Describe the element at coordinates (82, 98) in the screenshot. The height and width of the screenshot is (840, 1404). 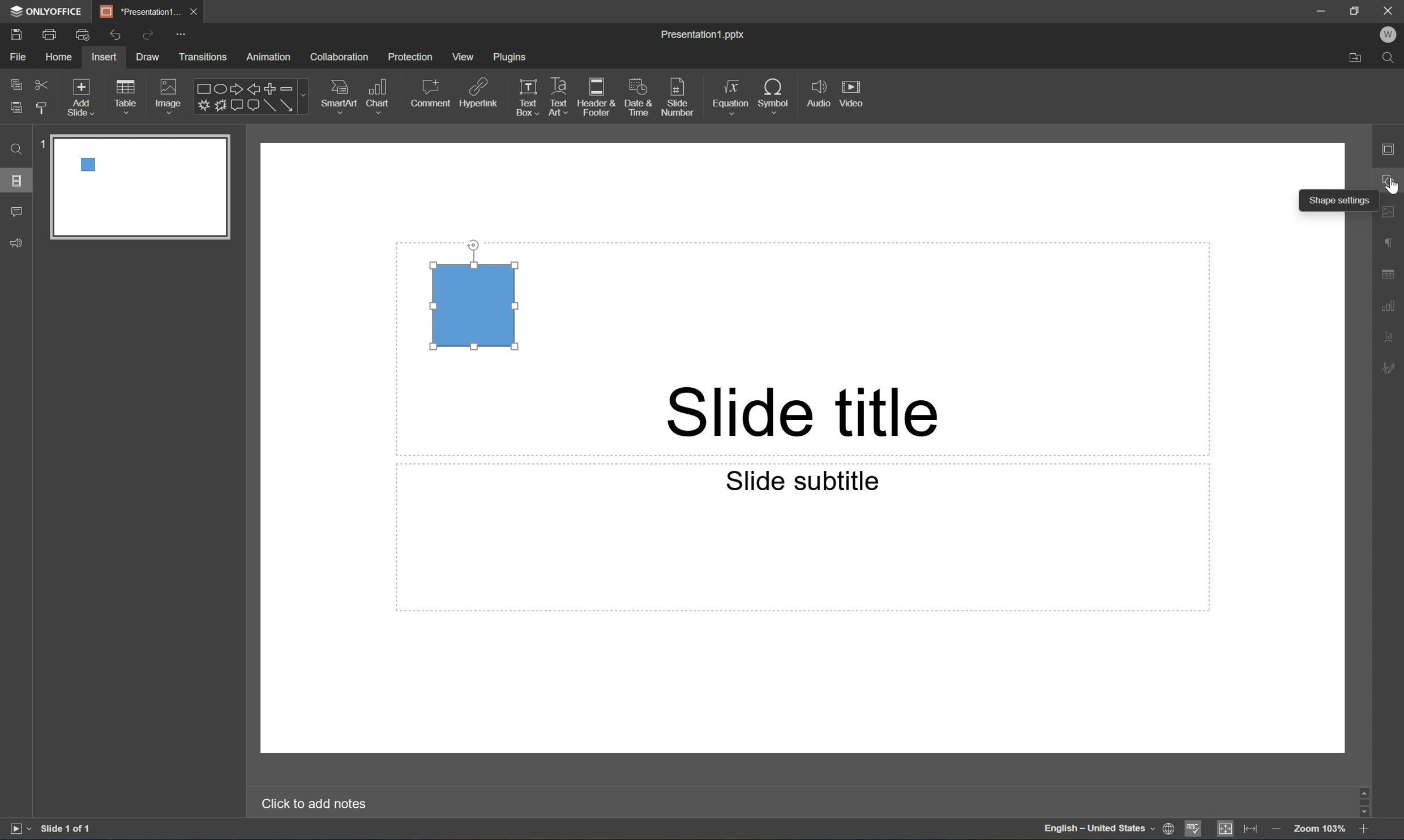
I see `Add Slide` at that location.